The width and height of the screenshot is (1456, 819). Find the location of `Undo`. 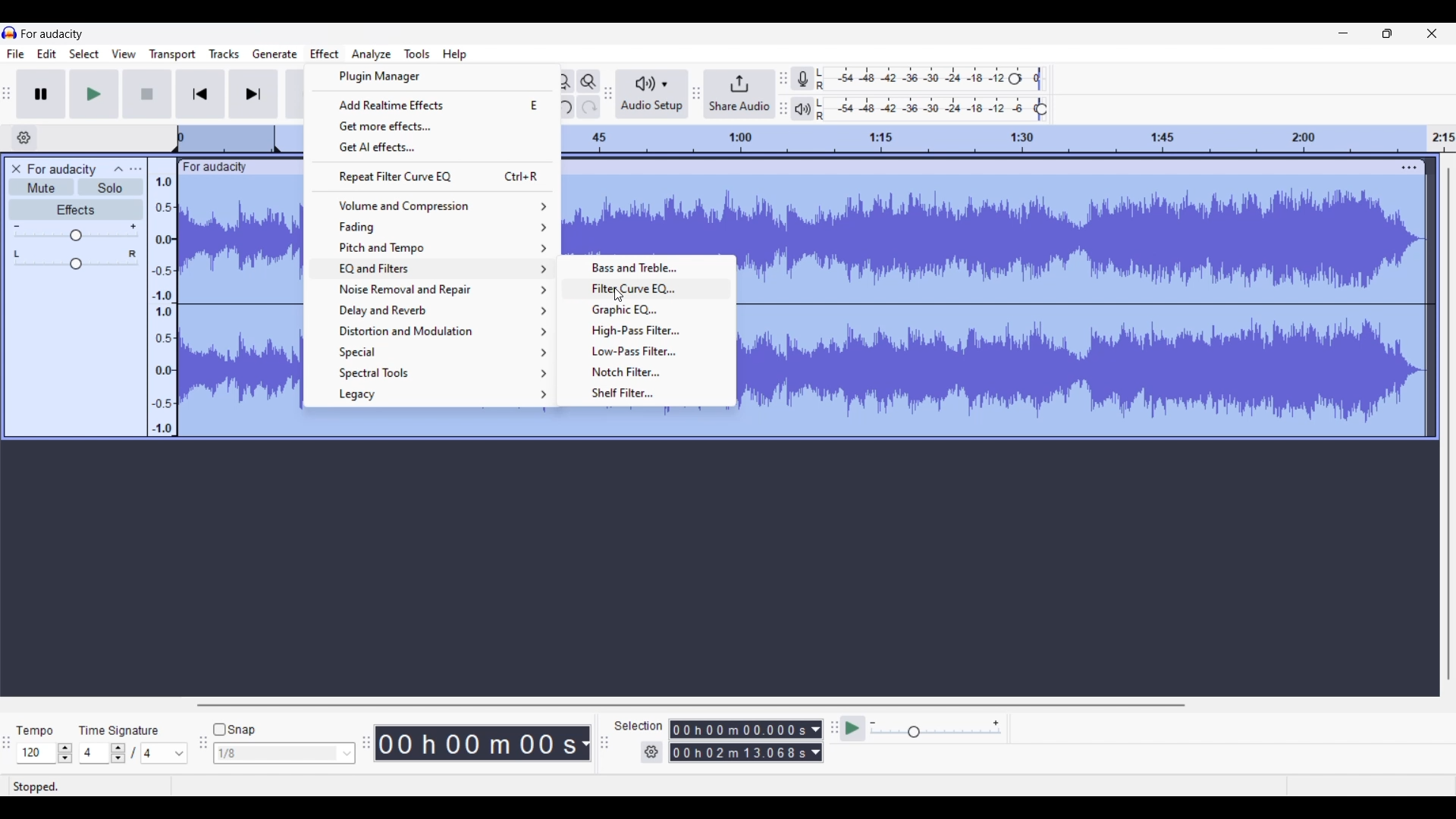

Undo is located at coordinates (563, 106).